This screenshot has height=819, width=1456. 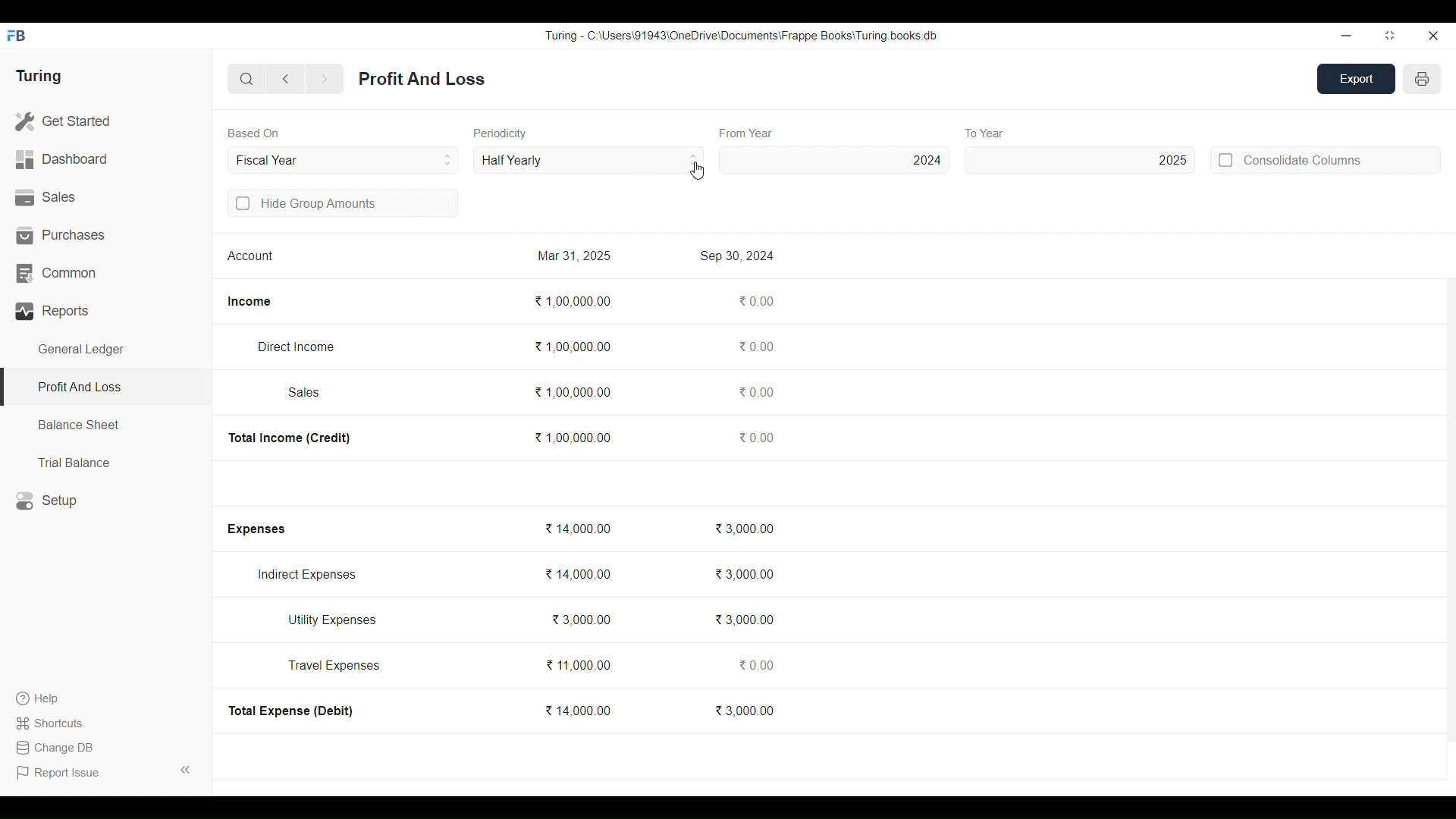 What do you see at coordinates (1390, 36) in the screenshot?
I see `Change dimension` at bounding box center [1390, 36].